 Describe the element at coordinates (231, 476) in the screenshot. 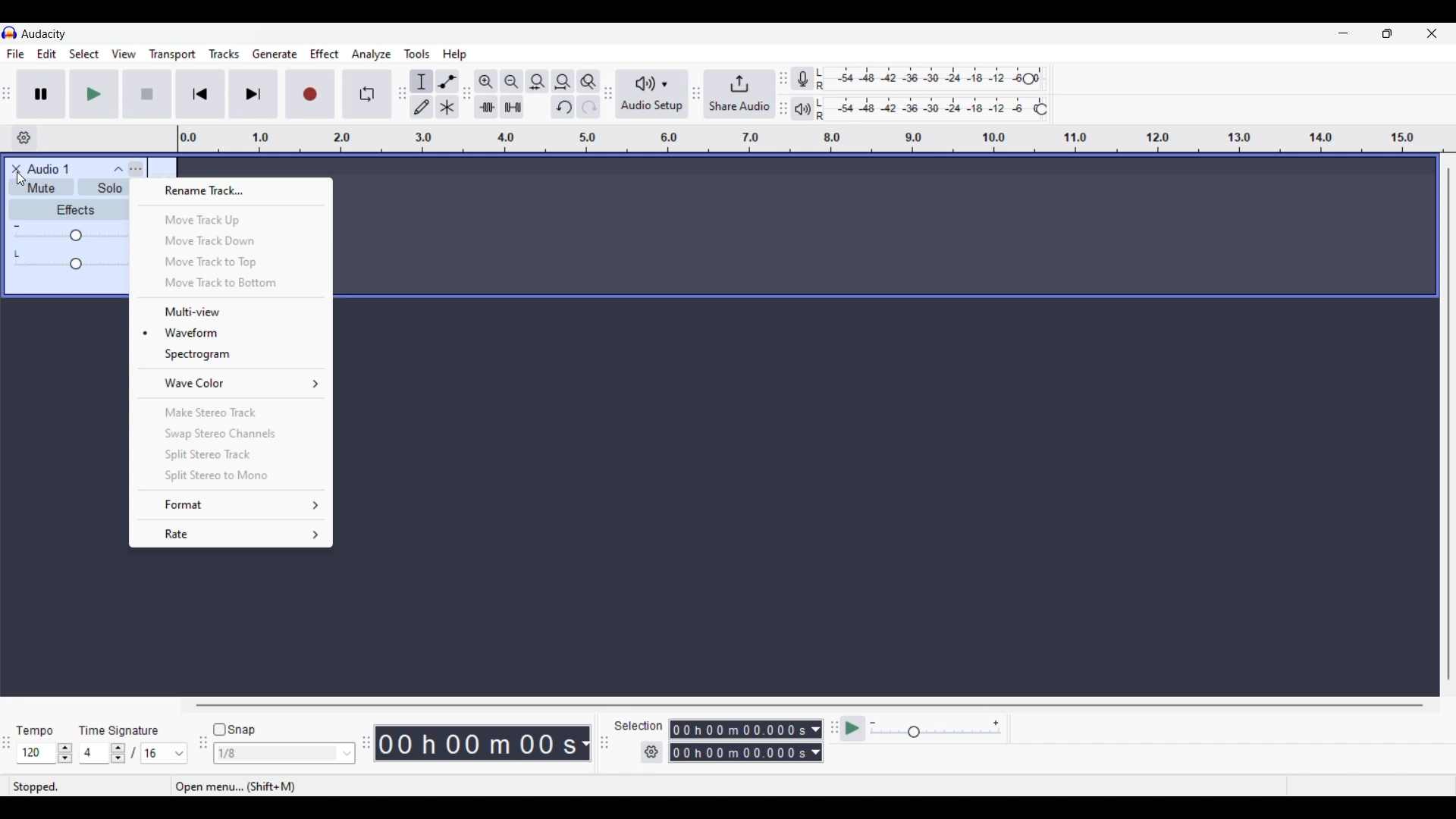

I see `Split stereo to Mono` at that location.